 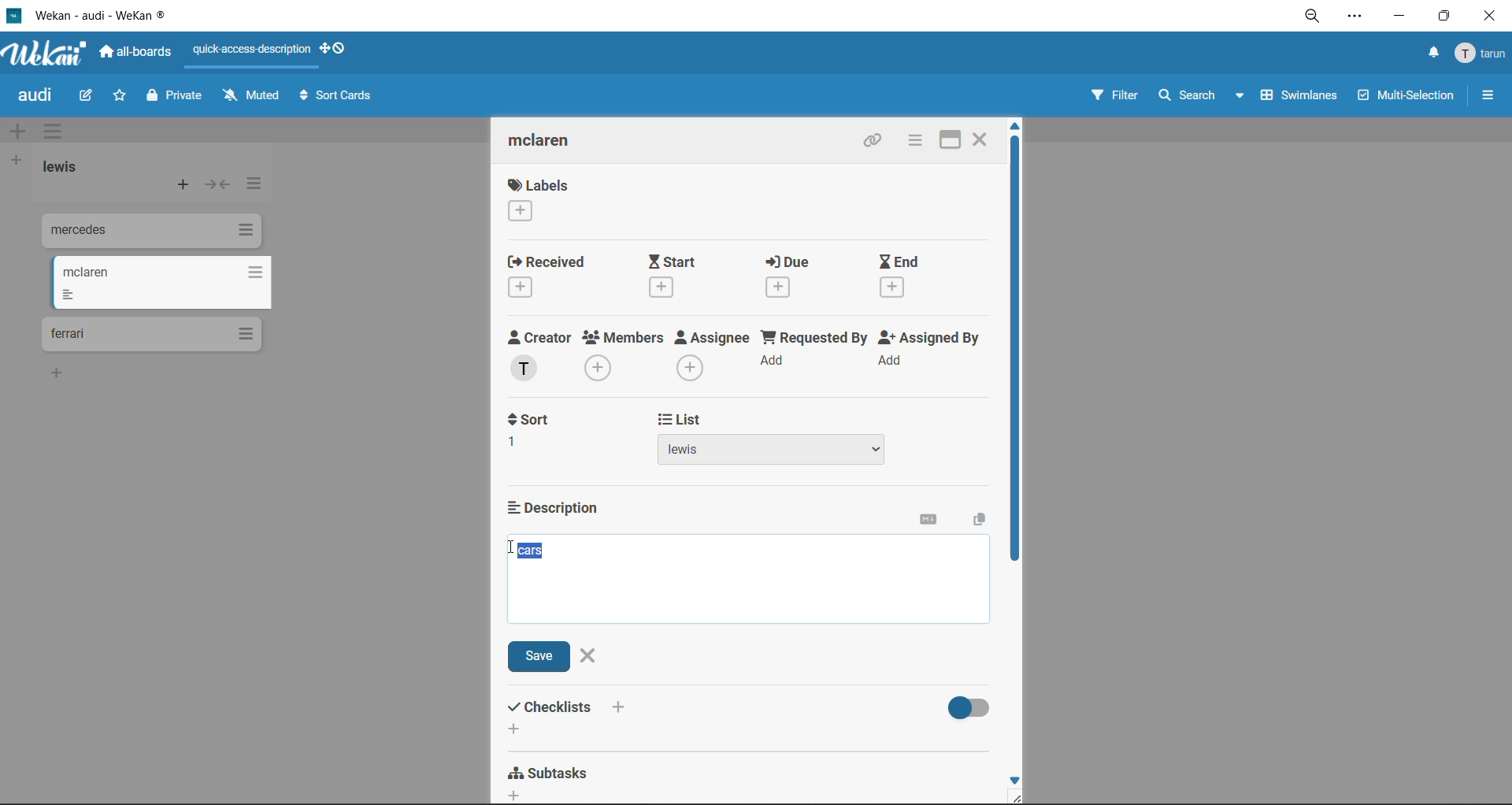 I want to click on text cursor, so click(x=506, y=546).